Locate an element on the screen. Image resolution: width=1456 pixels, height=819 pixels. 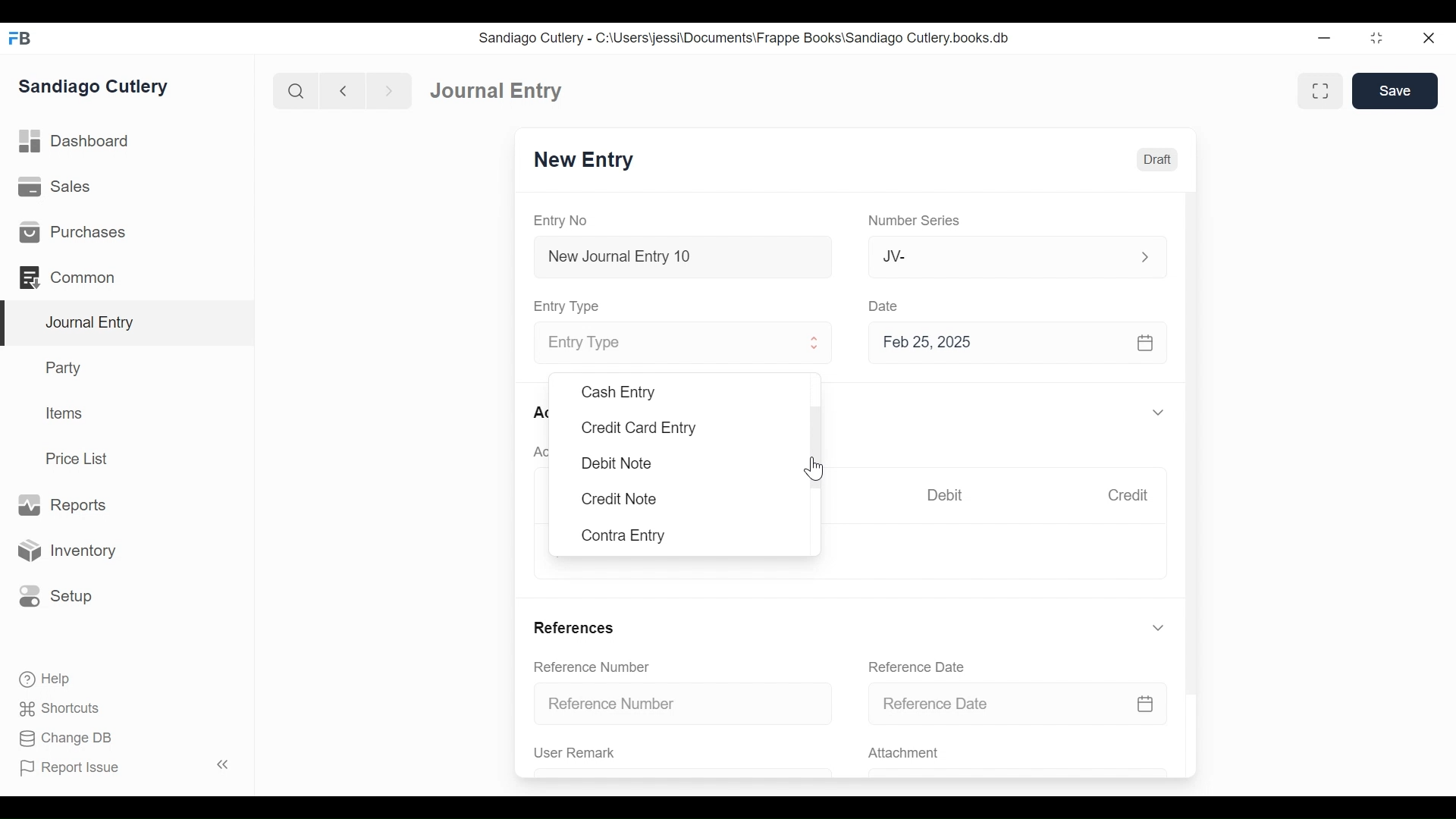
Expand is located at coordinates (816, 345).